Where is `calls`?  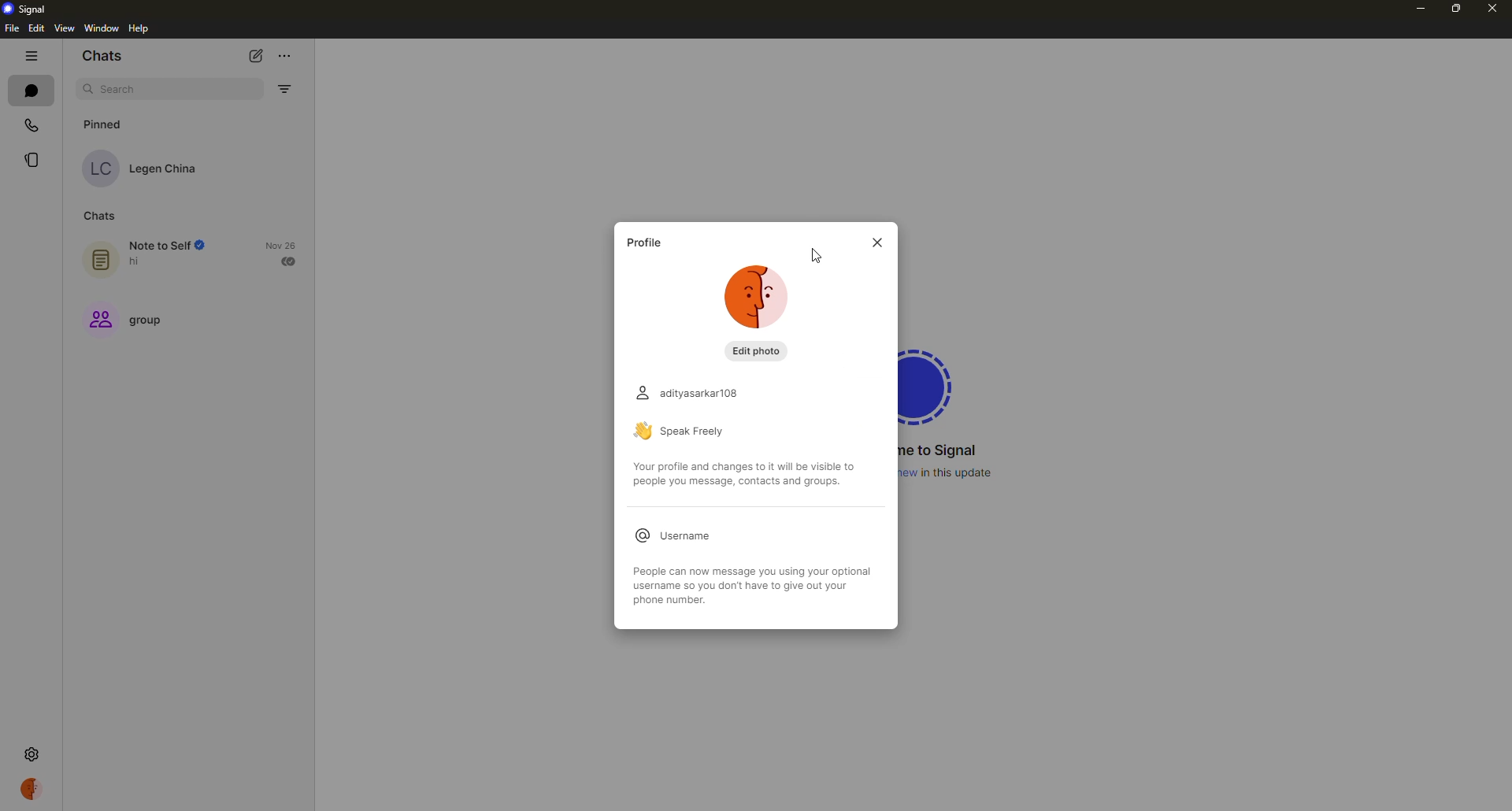
calls is located at coordinates (34, 124).